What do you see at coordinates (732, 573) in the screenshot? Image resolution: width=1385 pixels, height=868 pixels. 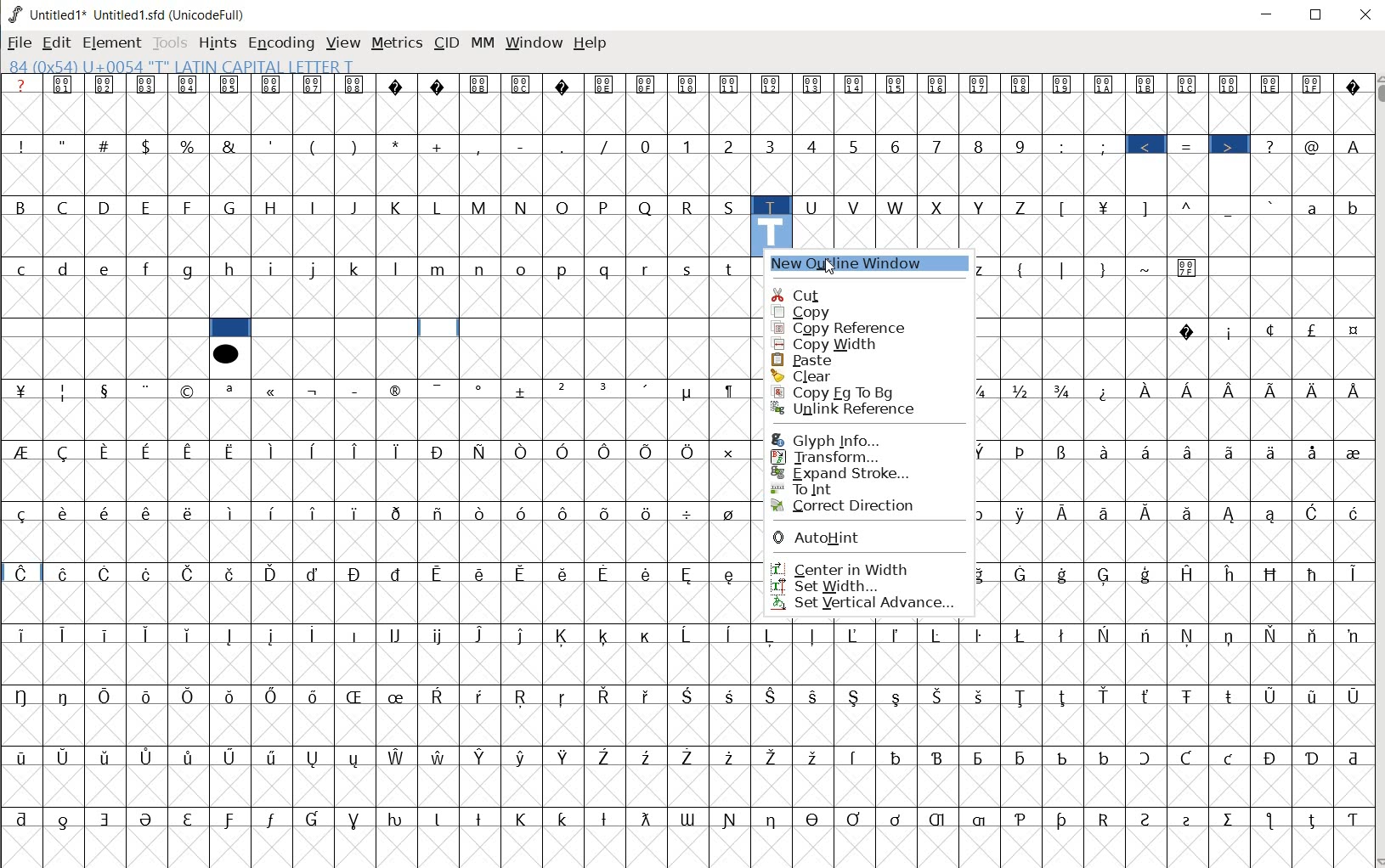 I see `Symbol` at bounding box center [732, 573].